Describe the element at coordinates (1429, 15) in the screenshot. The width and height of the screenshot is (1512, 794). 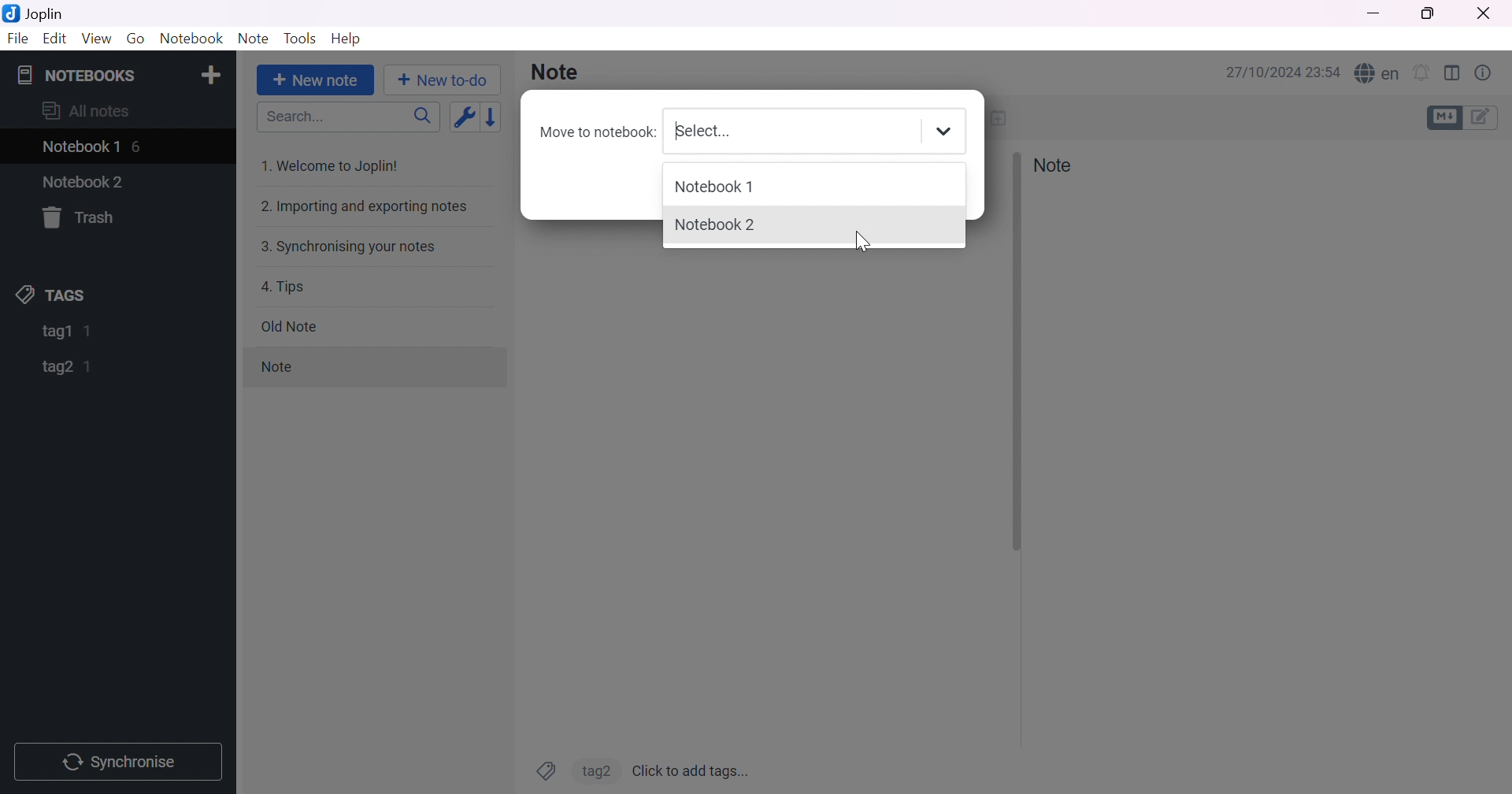
I see `Restore down` at that location.